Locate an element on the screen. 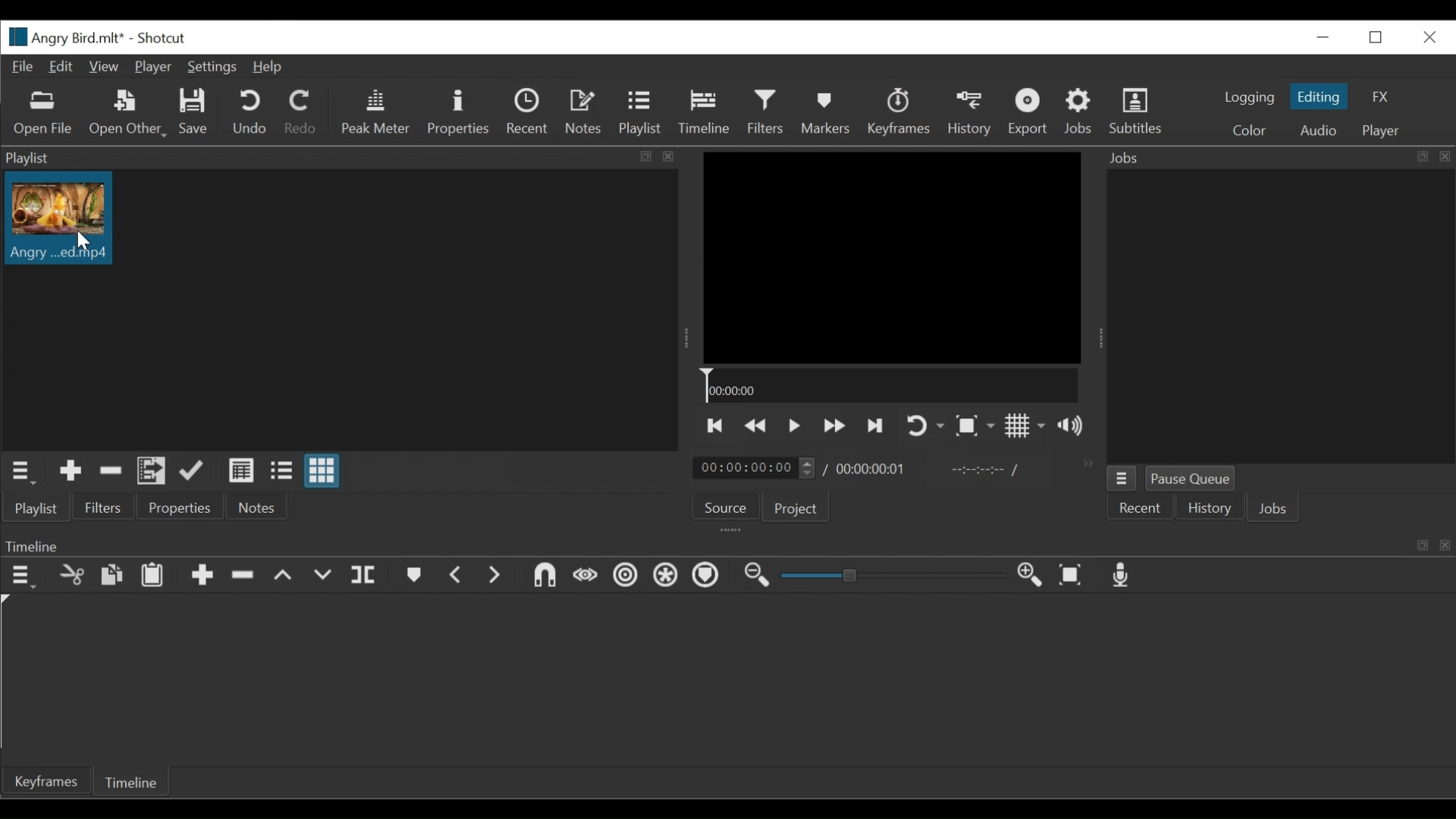 The image size is (1456, 819). Play backward quickly is located at coordinates (756, 427).